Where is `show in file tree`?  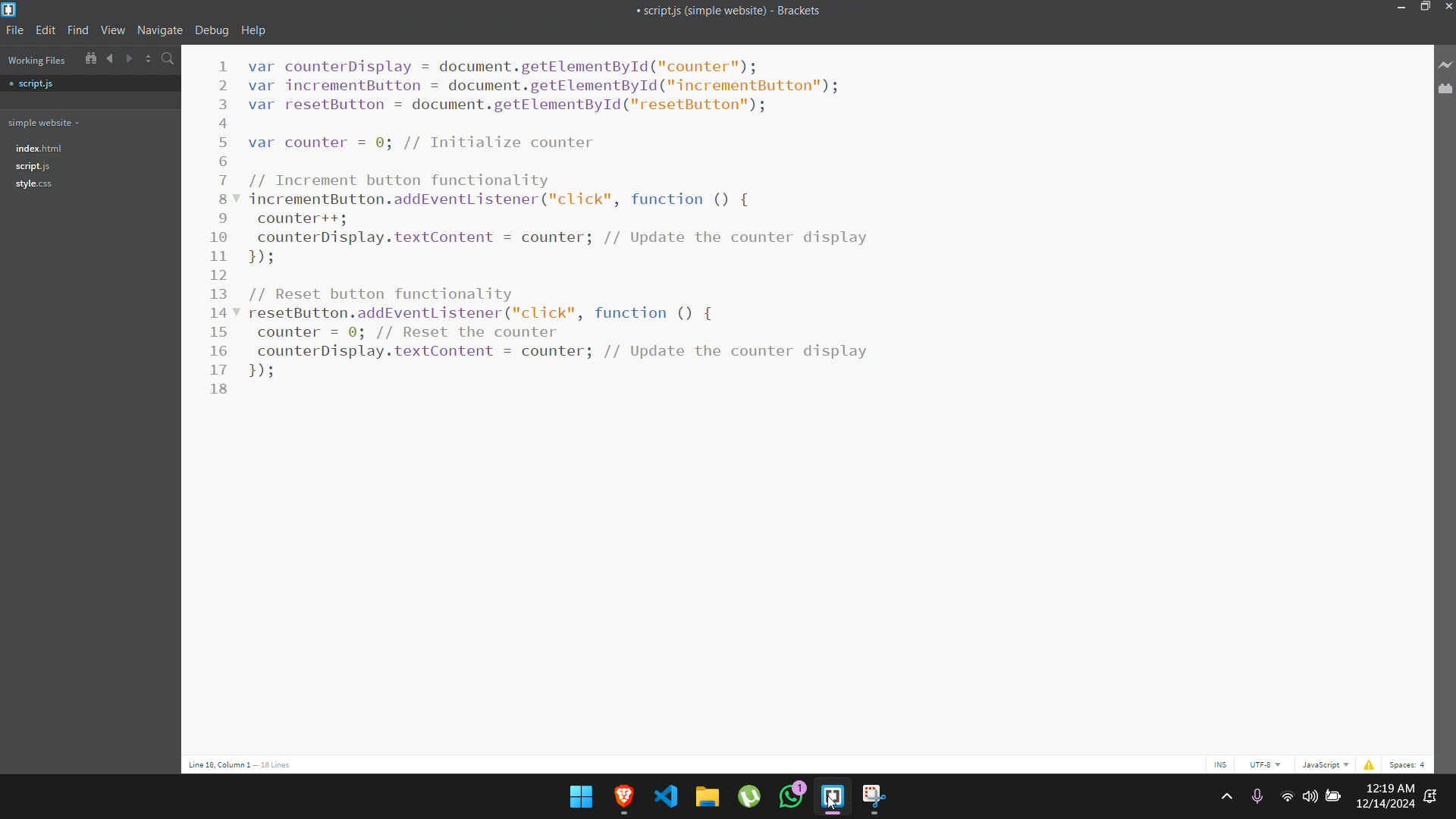
show in file tree is located at coordinates (88, 60).